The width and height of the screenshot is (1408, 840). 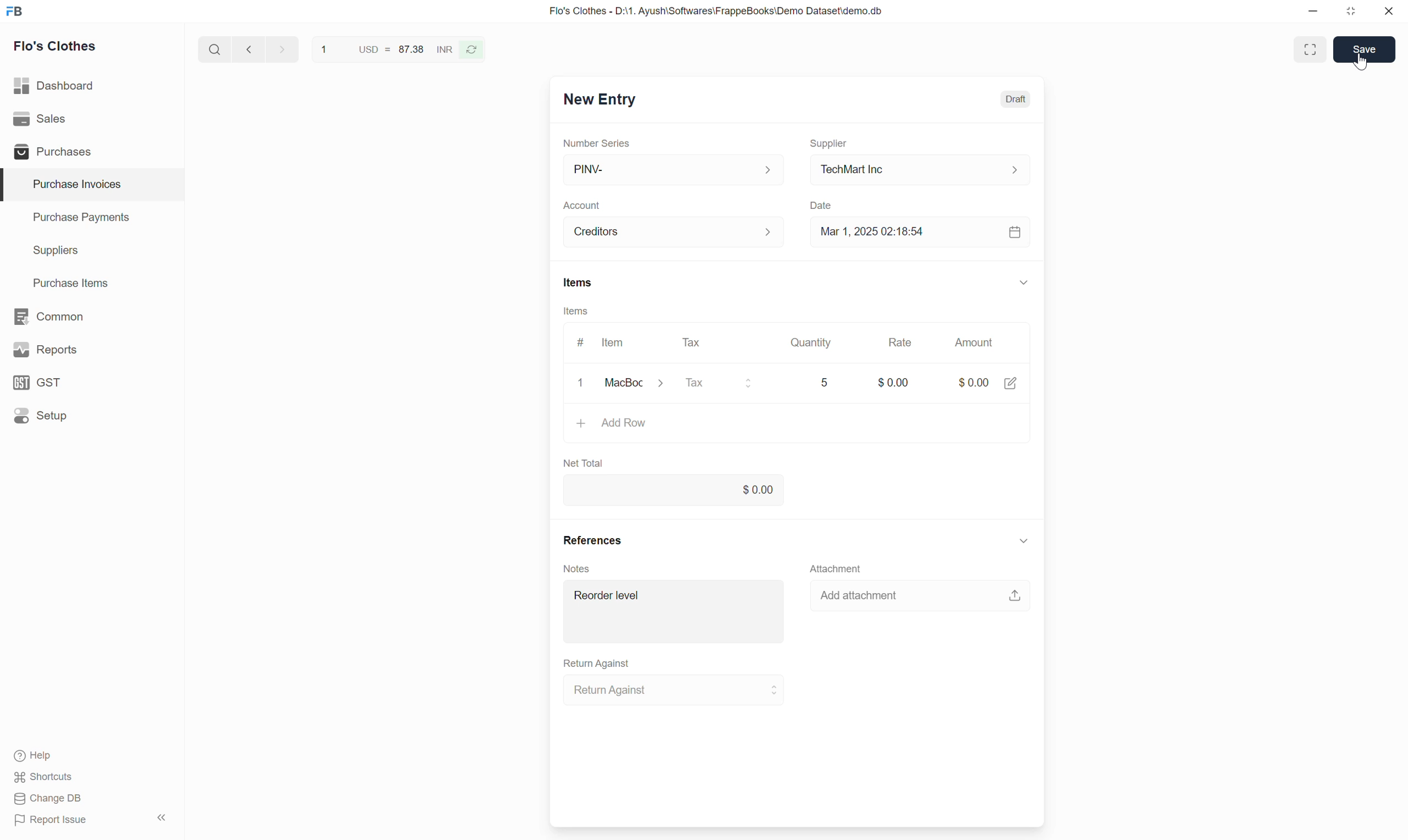 I want to click on Draft, so click(x=1016, y=100).